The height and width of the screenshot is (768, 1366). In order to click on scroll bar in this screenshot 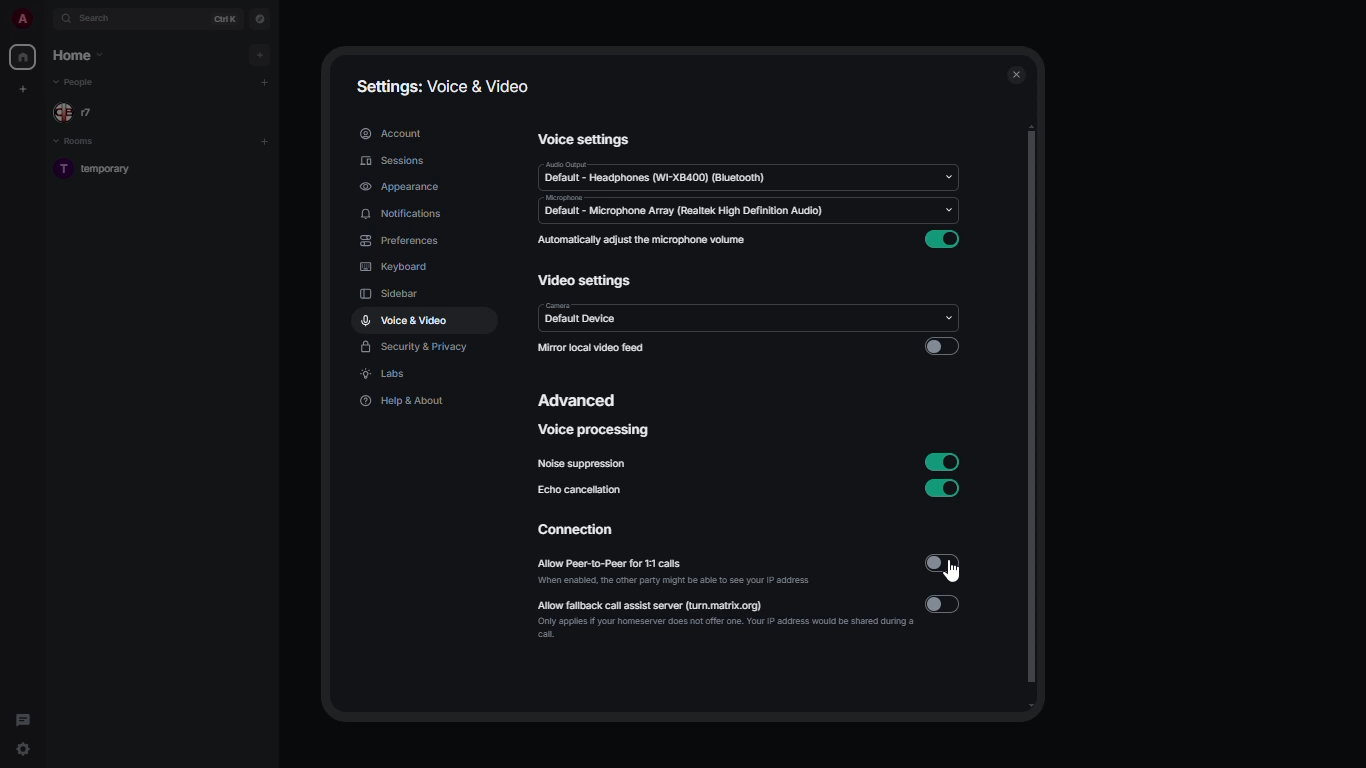, I will do `click(1033, 418)`.